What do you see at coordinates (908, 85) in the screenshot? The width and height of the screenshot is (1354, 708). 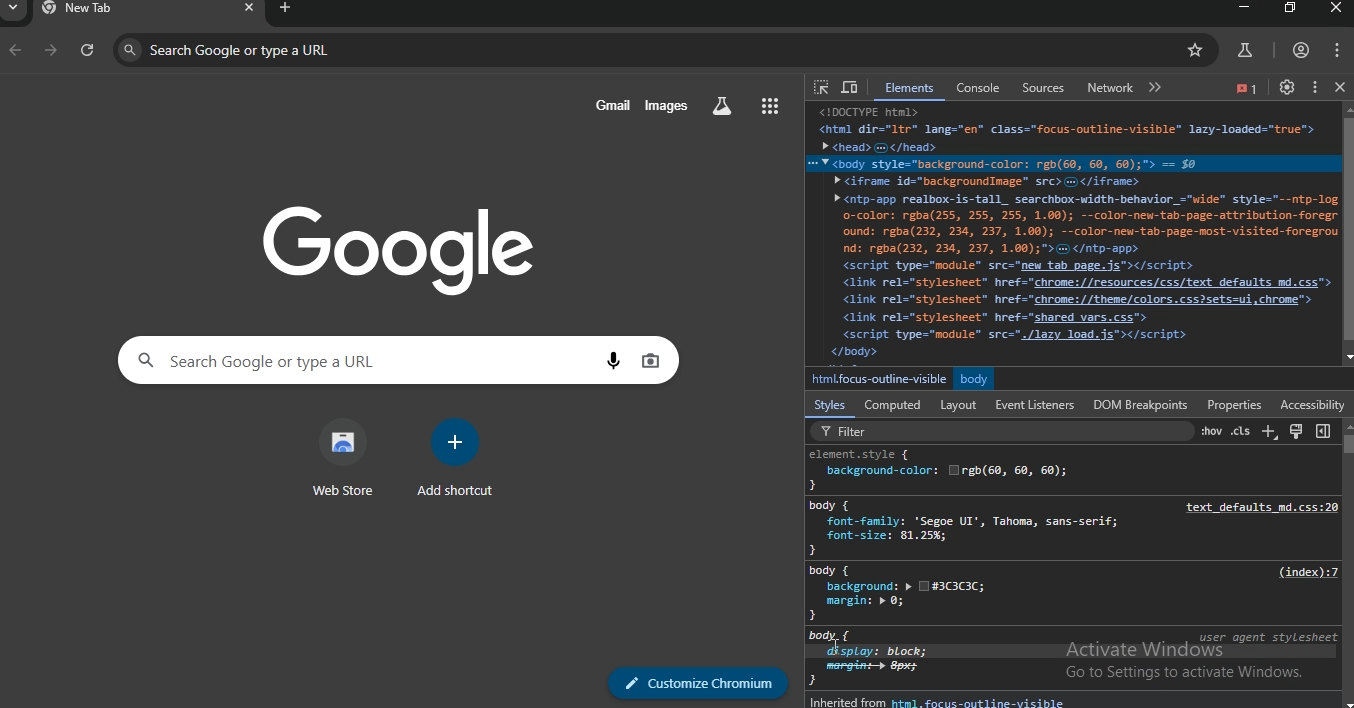 I see `elements` at bounding box center [908, 85].